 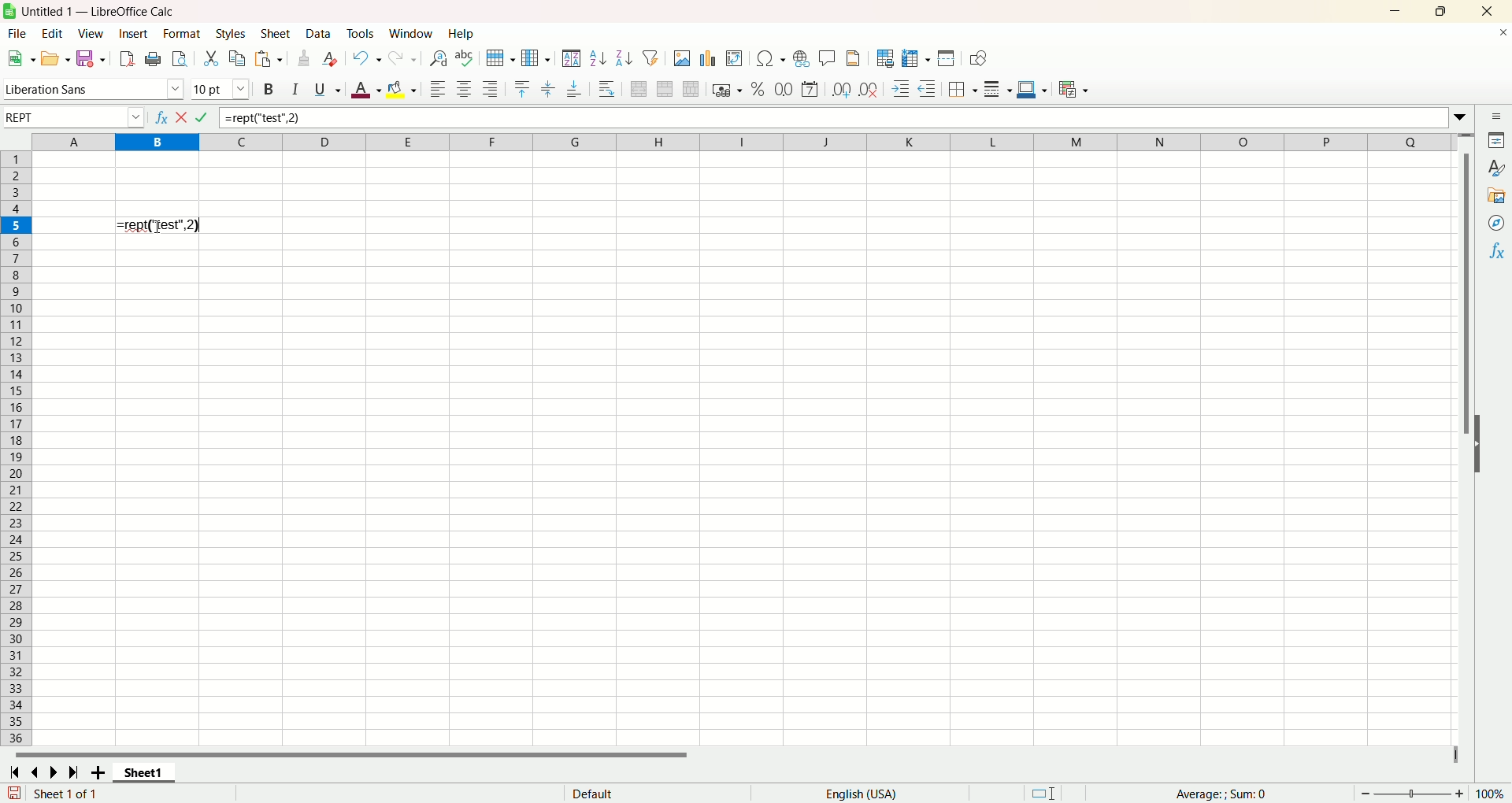 What do you see at coordinates (1492, 167) in the screenshot?
I see `style` at bounding box center [1492, 167].